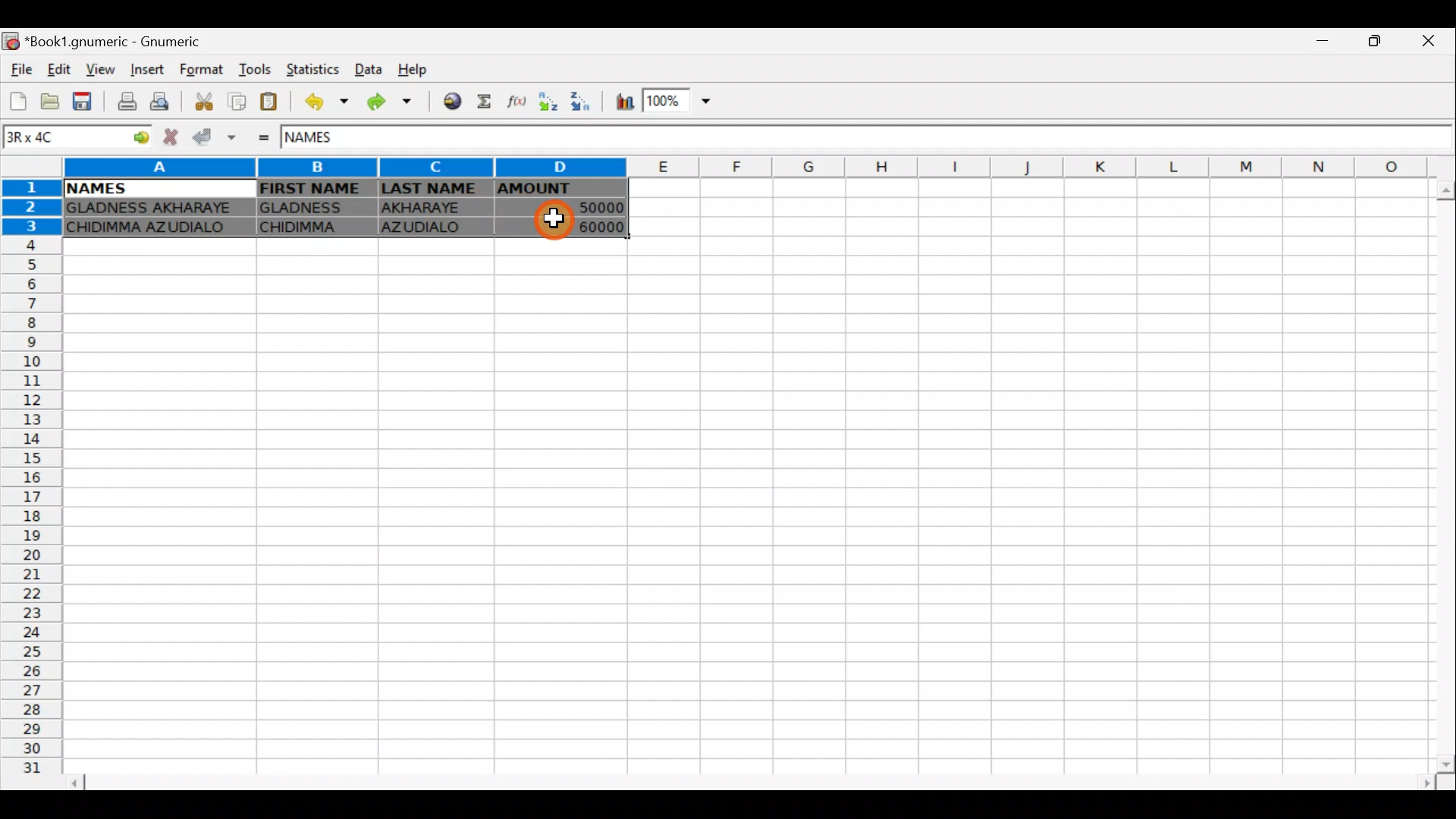 The image size is (1456, 819). Describe the element at coordinates (312, 188) in the screenshot. I see `FIRST NAME` at that location.